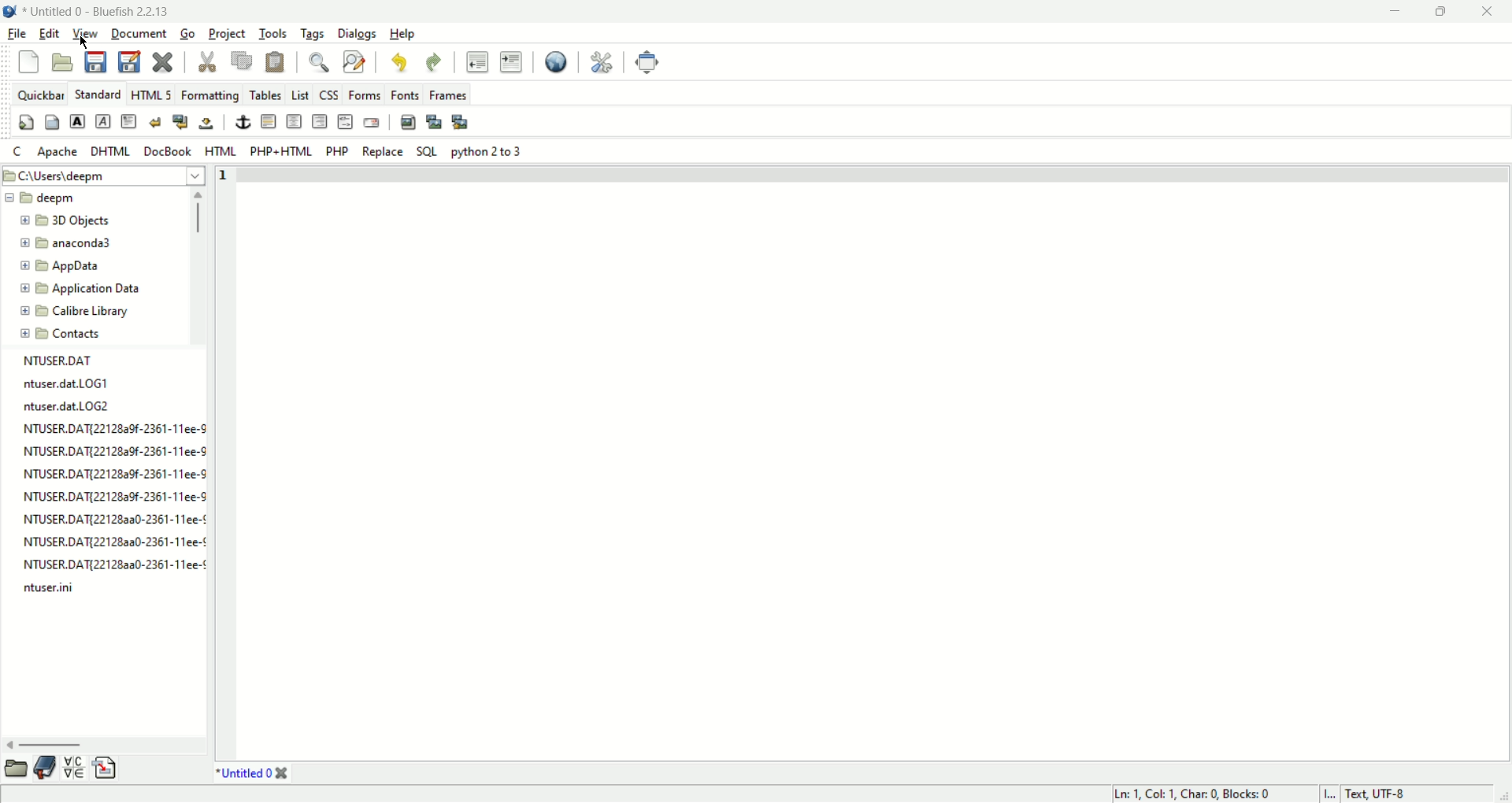 The image size is (1512, 803). I want to click on Tables, so click(265, 95).